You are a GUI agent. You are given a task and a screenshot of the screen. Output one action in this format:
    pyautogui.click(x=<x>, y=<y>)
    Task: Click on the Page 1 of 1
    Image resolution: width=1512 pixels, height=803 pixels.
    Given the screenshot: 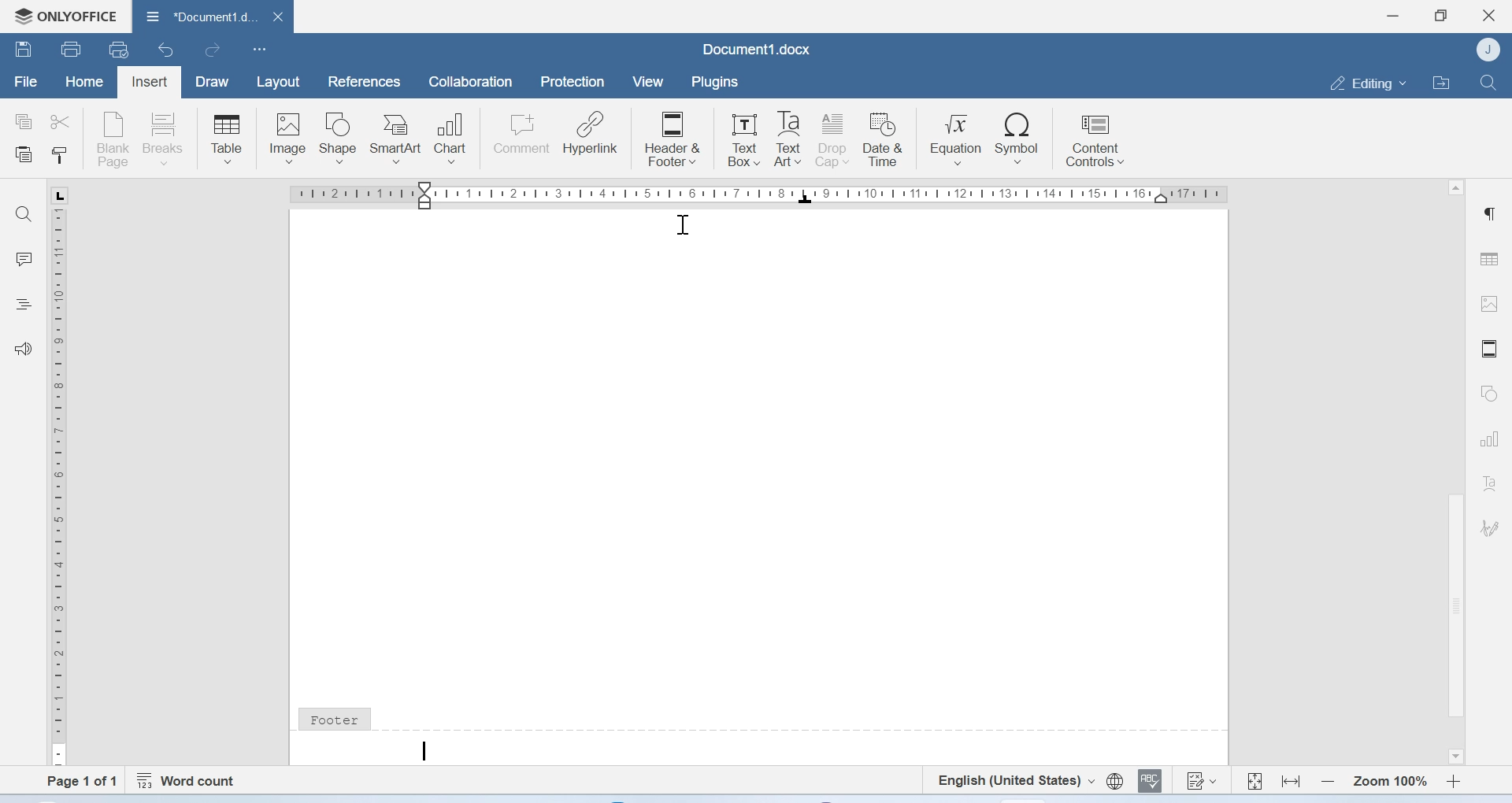 What is the action you would take?
    pyautogui.click(x=74, y=781)
    